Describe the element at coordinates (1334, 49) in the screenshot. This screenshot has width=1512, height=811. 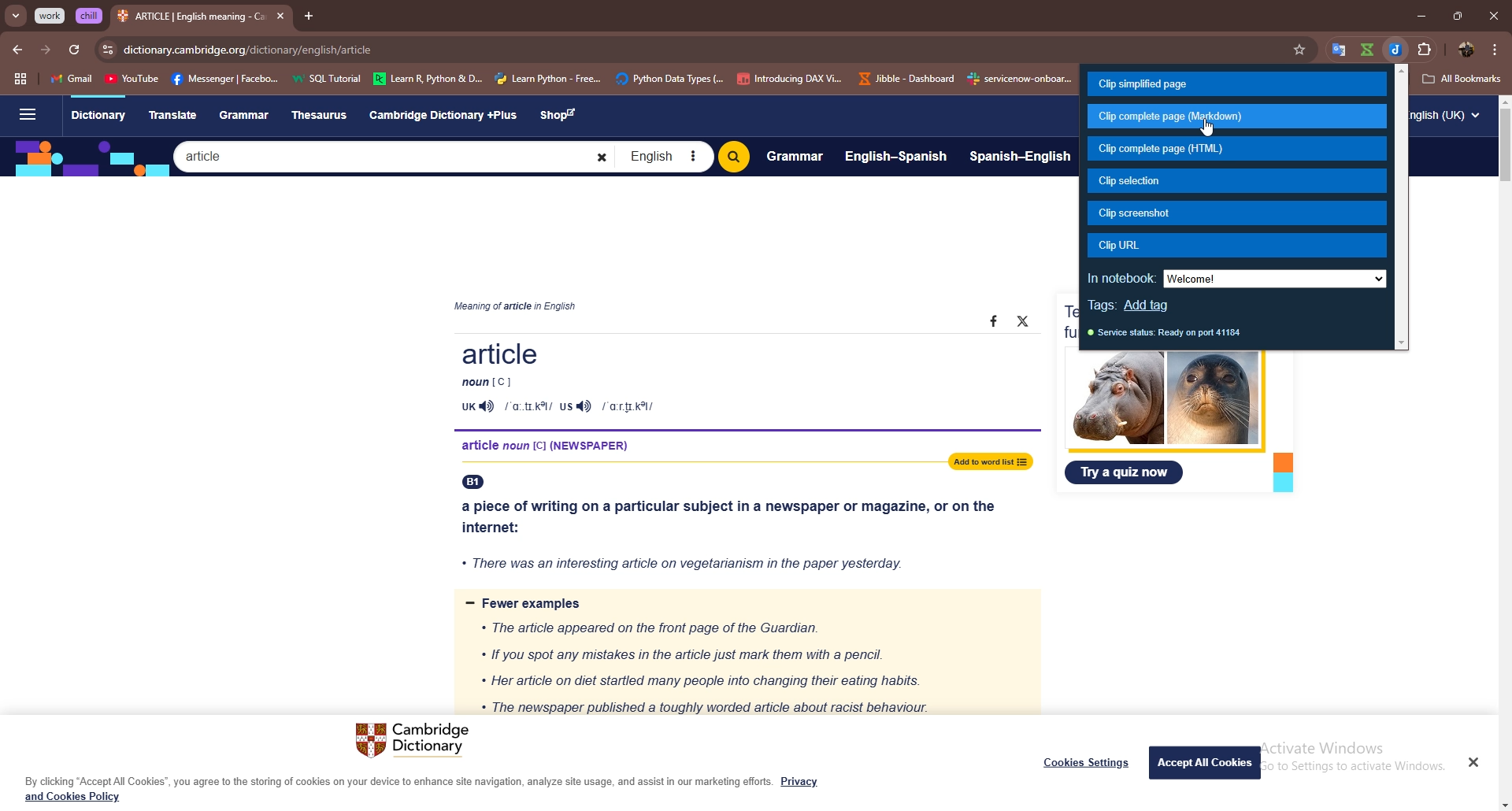
I see `favorites` at that location.